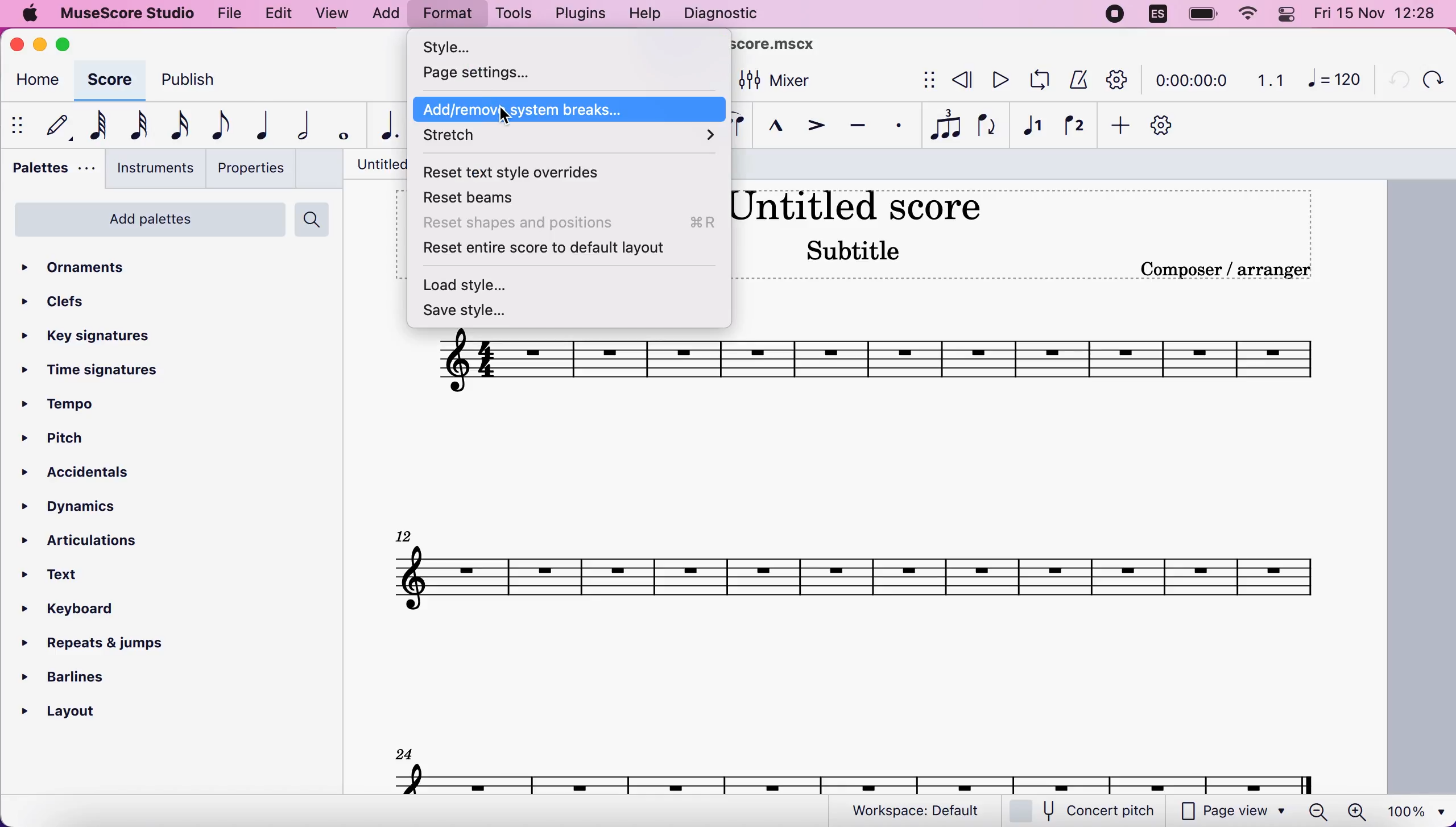  I want to click on save style, so click(471, 311).